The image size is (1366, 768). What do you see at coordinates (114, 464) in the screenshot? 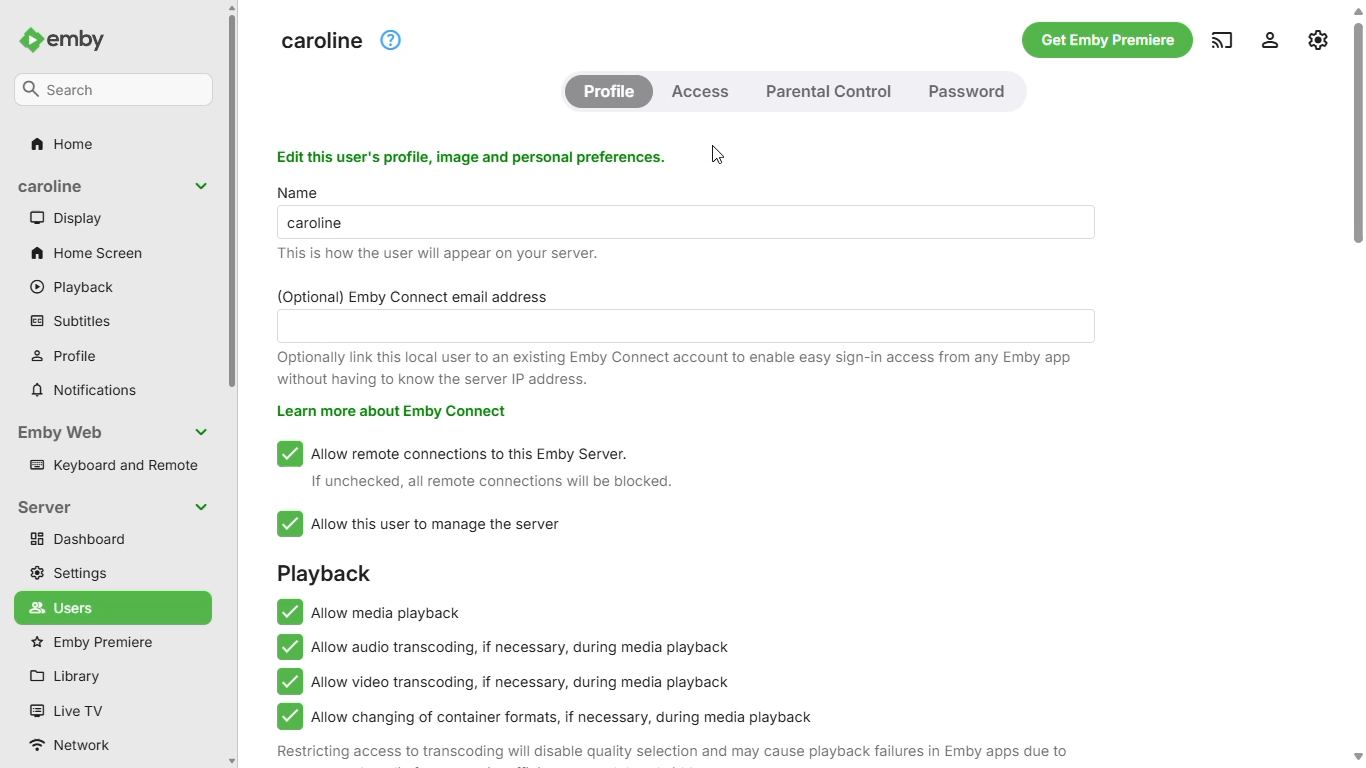
I see `keyboard and remote` at bounding box center [114, 464].